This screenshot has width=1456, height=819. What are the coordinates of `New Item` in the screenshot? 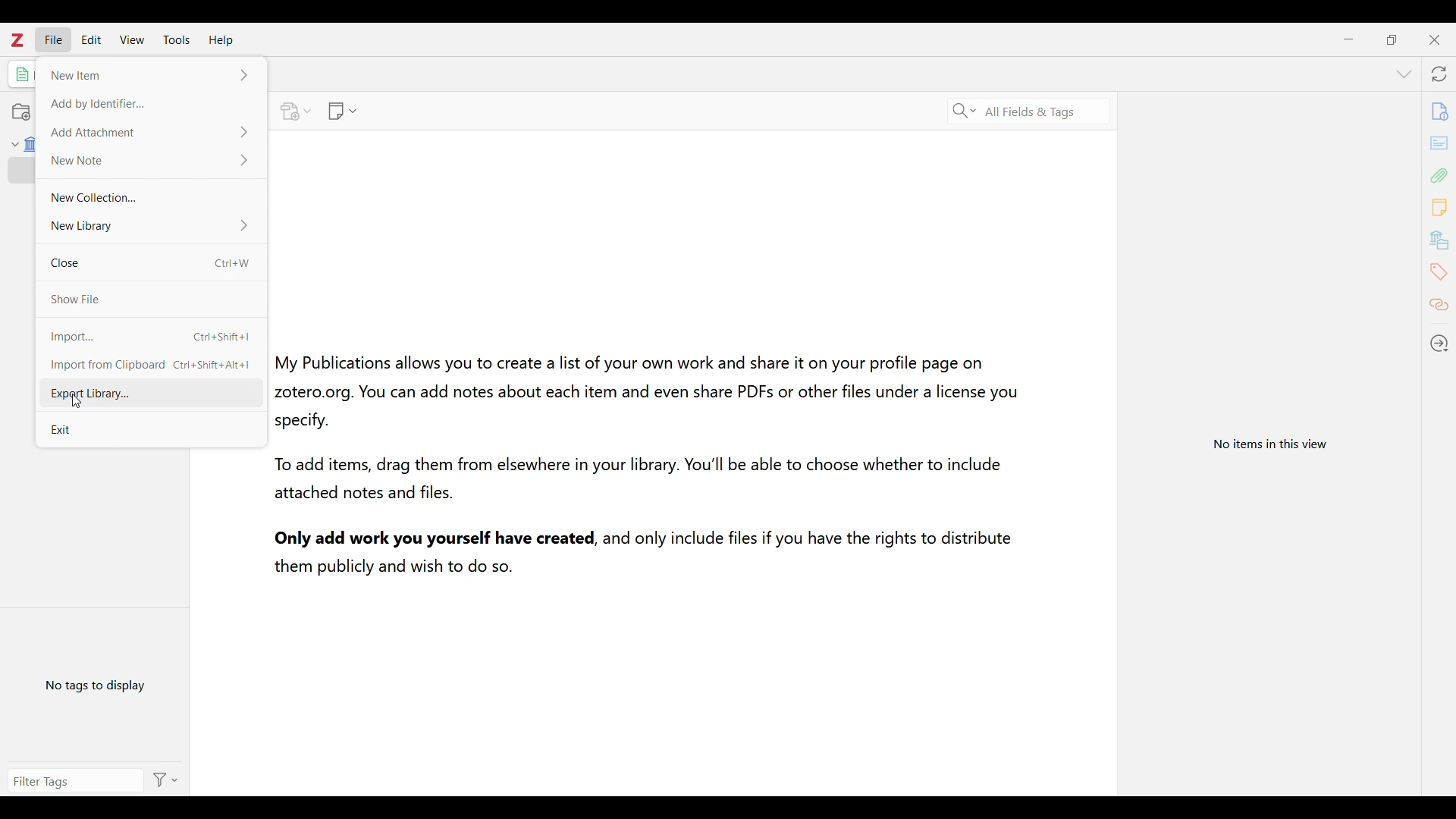 It's located at (153, 73).